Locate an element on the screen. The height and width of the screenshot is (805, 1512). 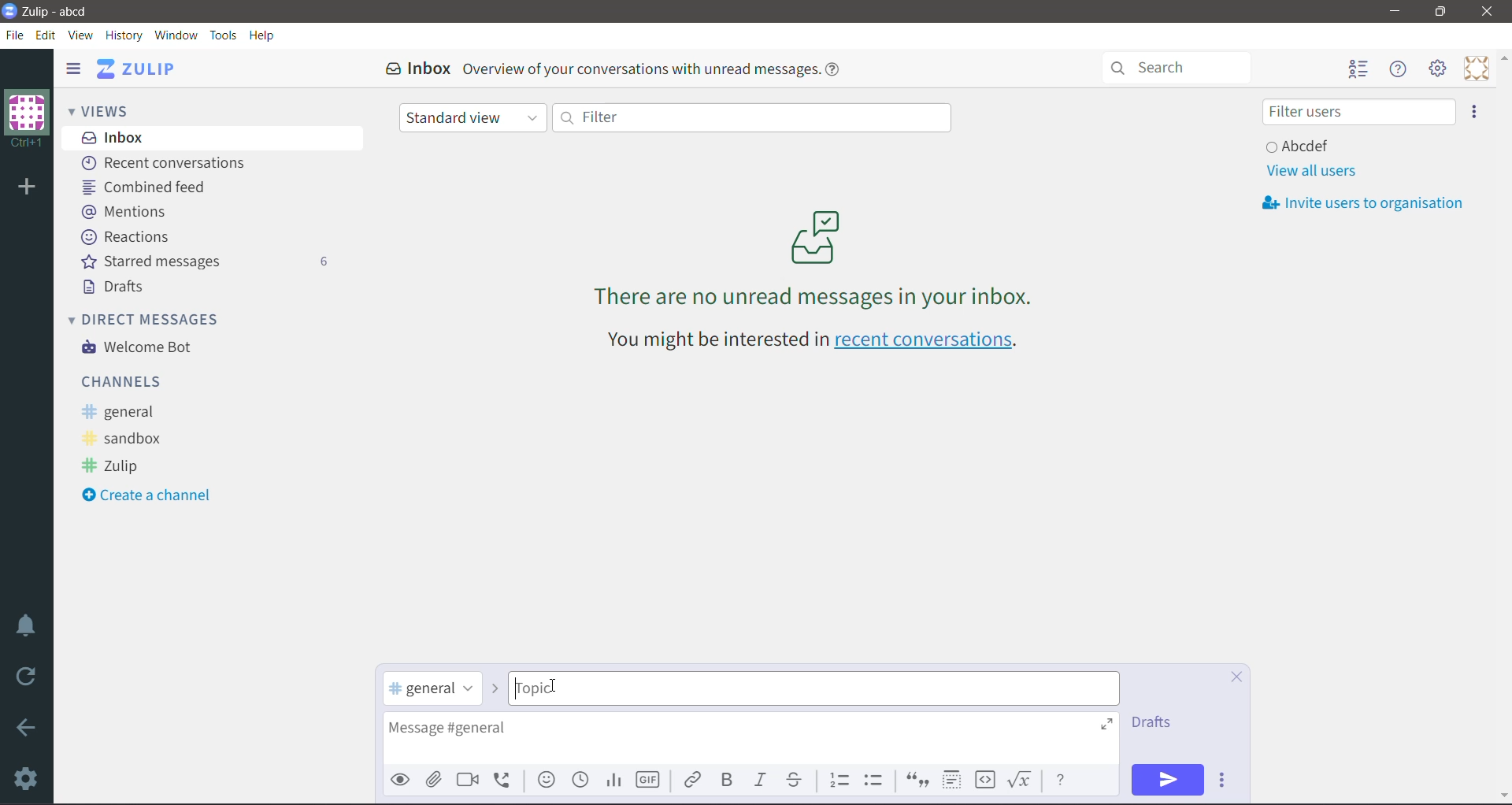
Organization Name is located at coordinates (27, 119).